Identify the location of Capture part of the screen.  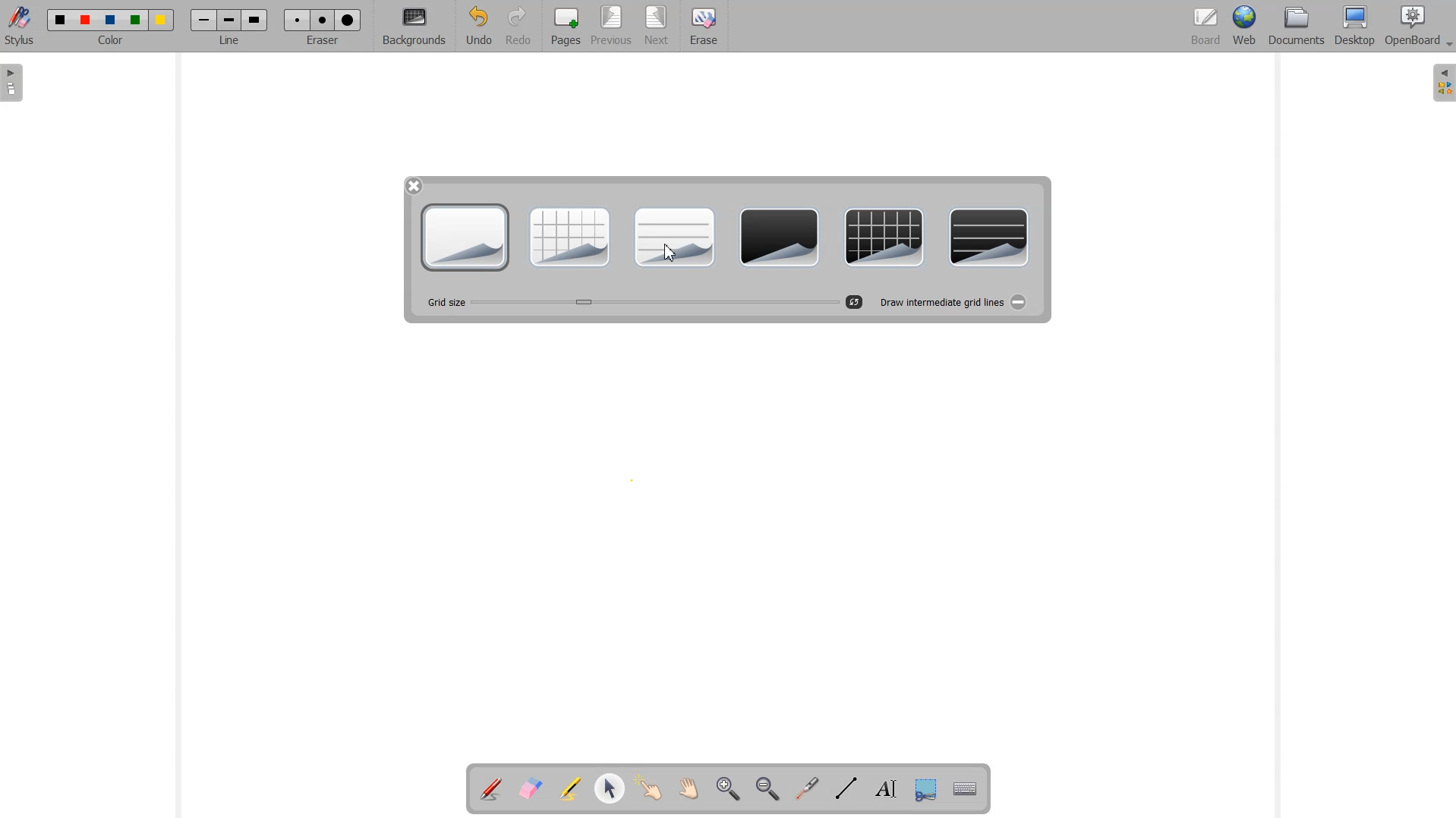
(924, 790).